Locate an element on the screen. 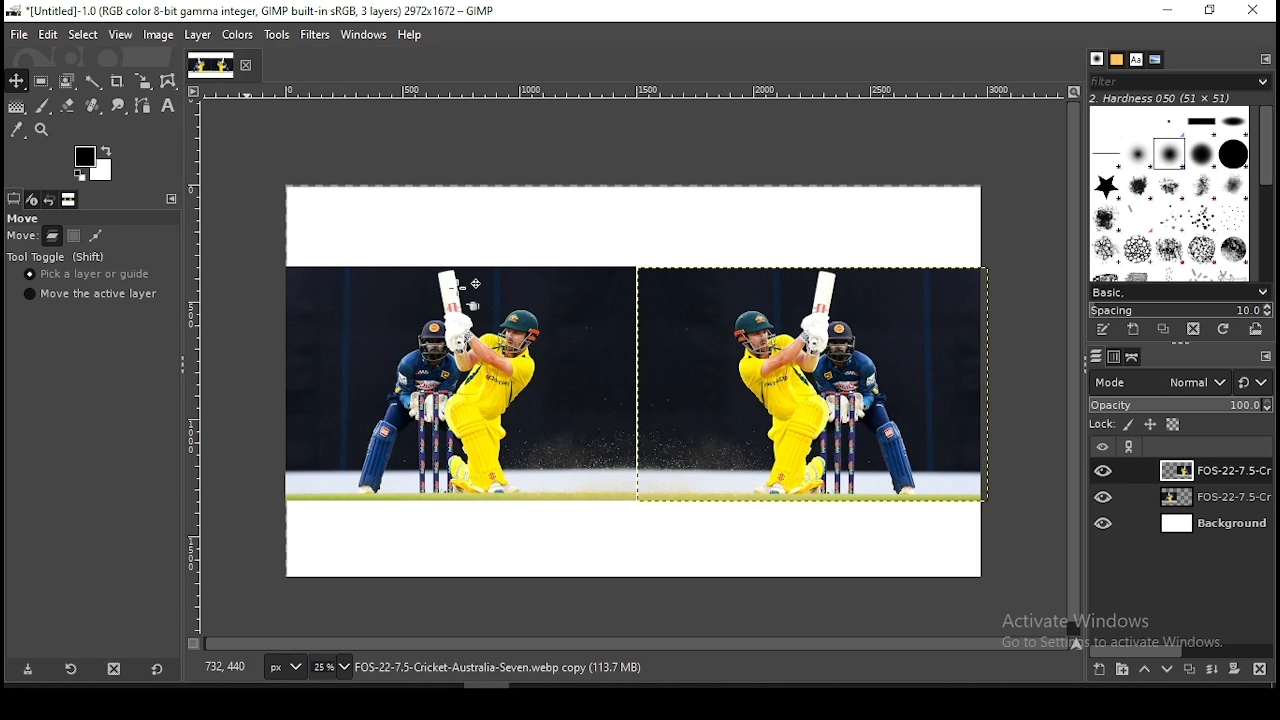  wrap transform is located at coordinates (168, 81).